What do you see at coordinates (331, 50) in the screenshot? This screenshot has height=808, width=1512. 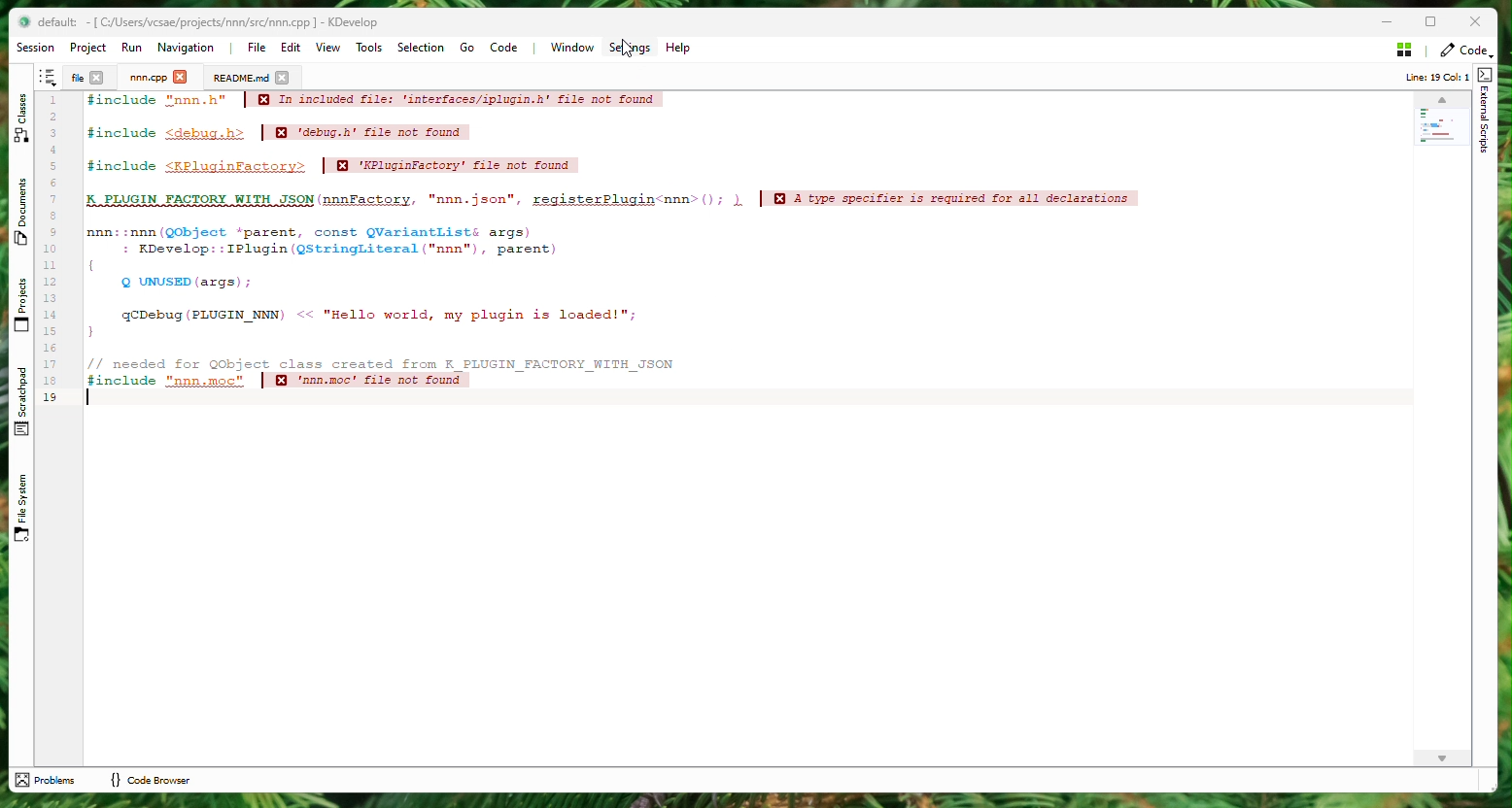 I see `View` at bounding box center [331, 50].